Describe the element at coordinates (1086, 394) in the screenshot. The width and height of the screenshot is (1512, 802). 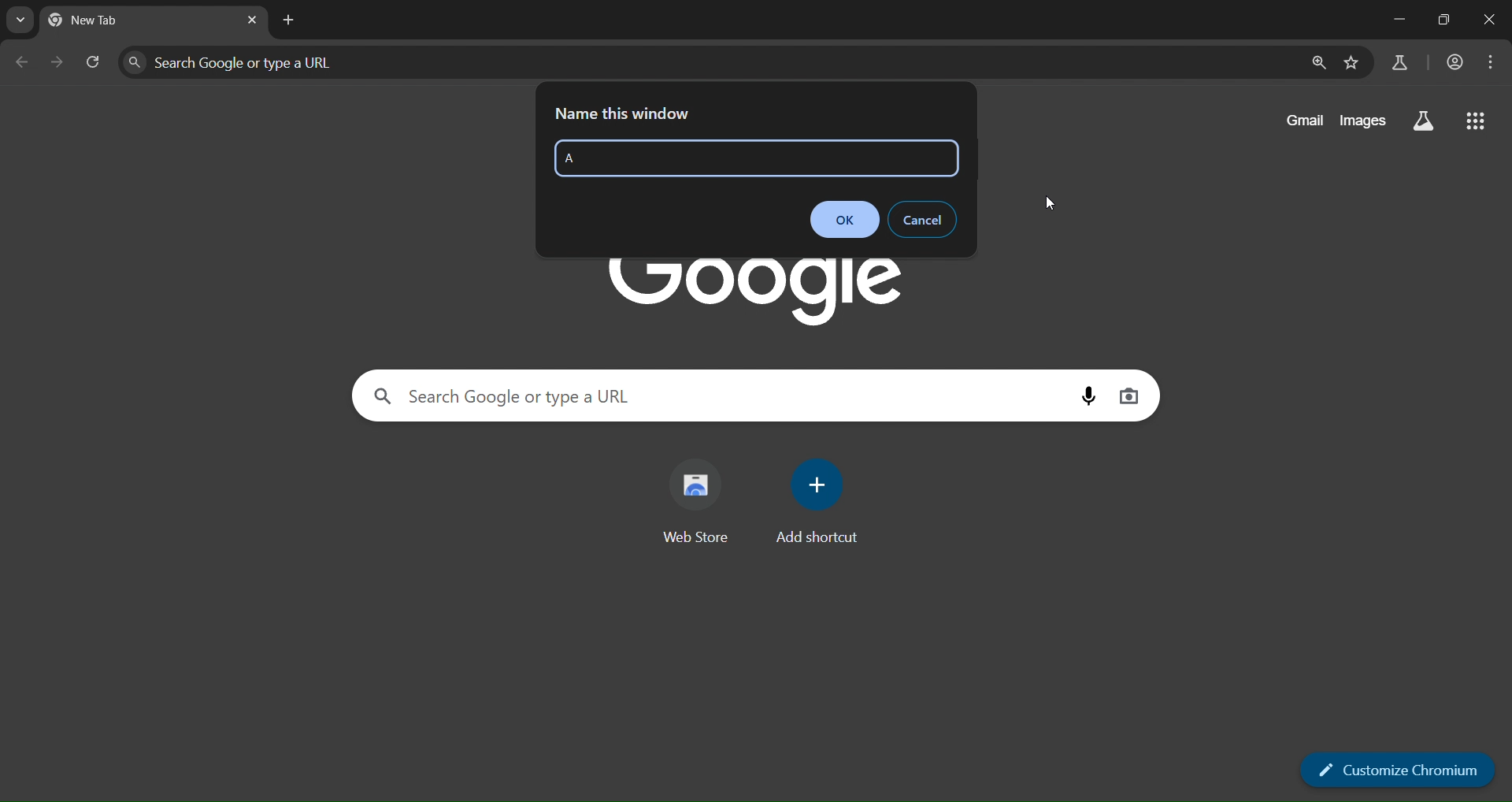
I see `voice search` at that location.